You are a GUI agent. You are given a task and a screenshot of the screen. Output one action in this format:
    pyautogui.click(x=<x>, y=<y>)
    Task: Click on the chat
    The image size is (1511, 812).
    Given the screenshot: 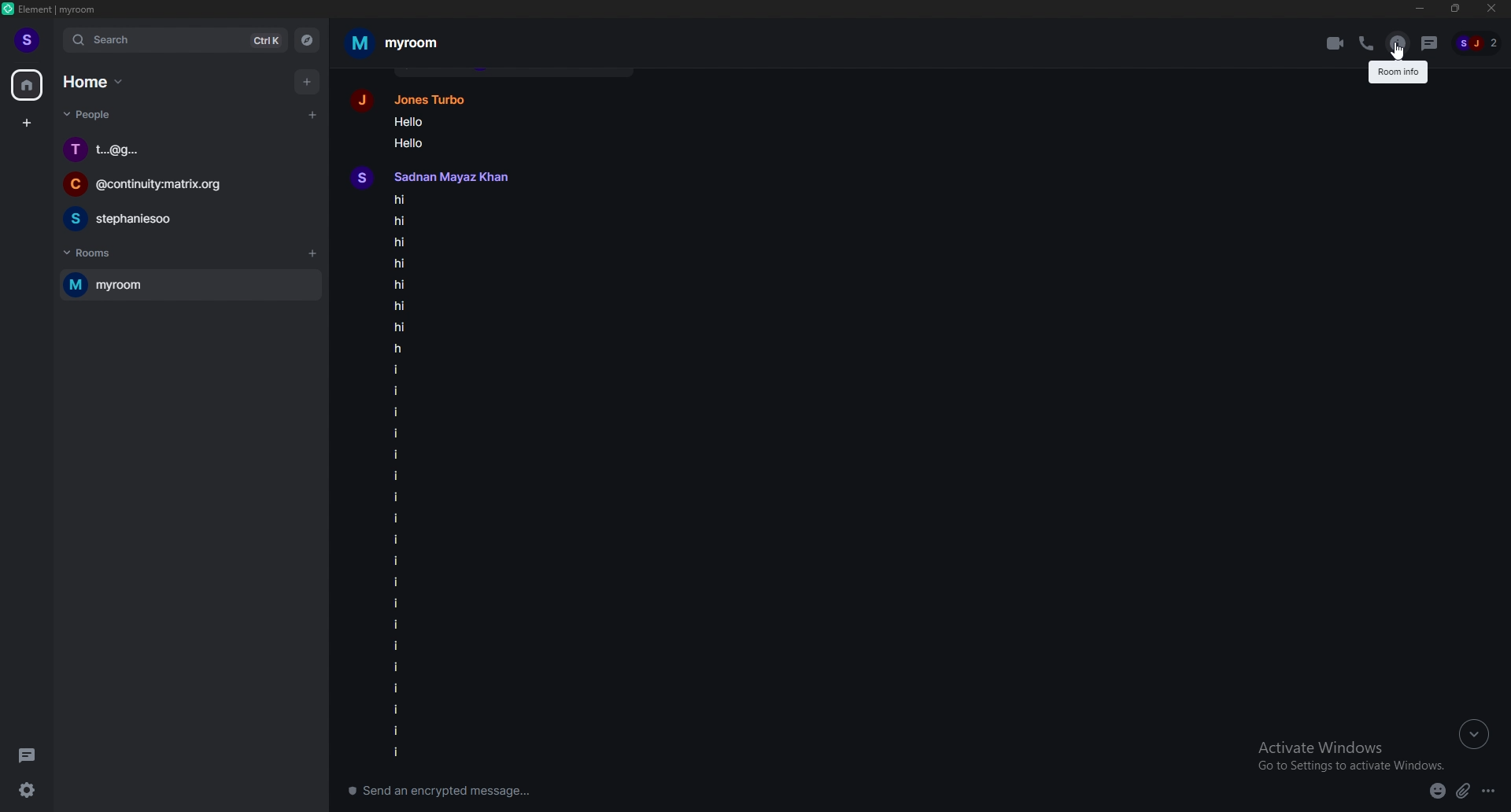 What is the action you would take?
    pyautogui.click(x=187, y=185)
    